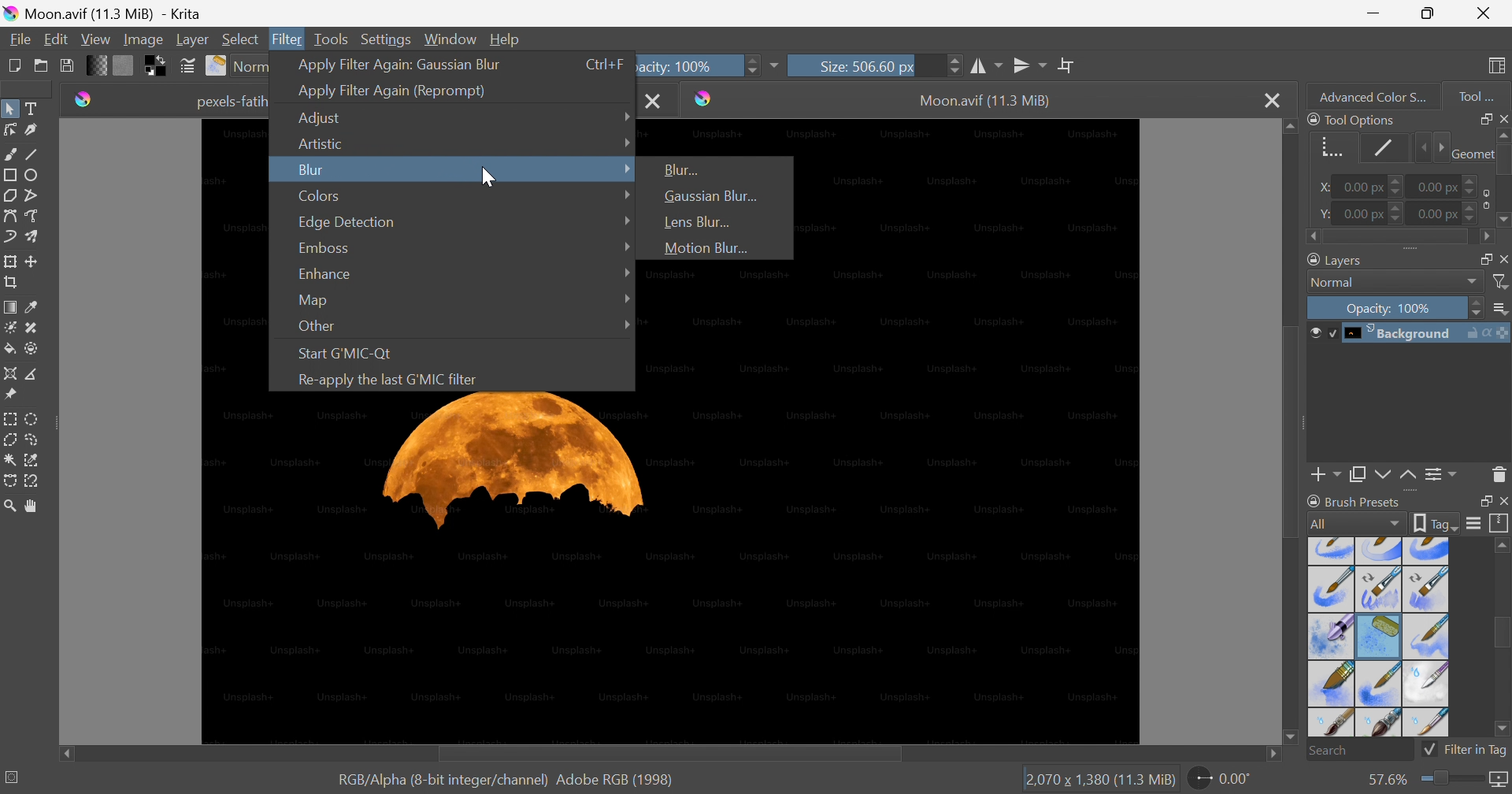  What do you see at coordinates (326, 273) in the screenshot?
I see `Enhance` at bounding box center [326, 273].